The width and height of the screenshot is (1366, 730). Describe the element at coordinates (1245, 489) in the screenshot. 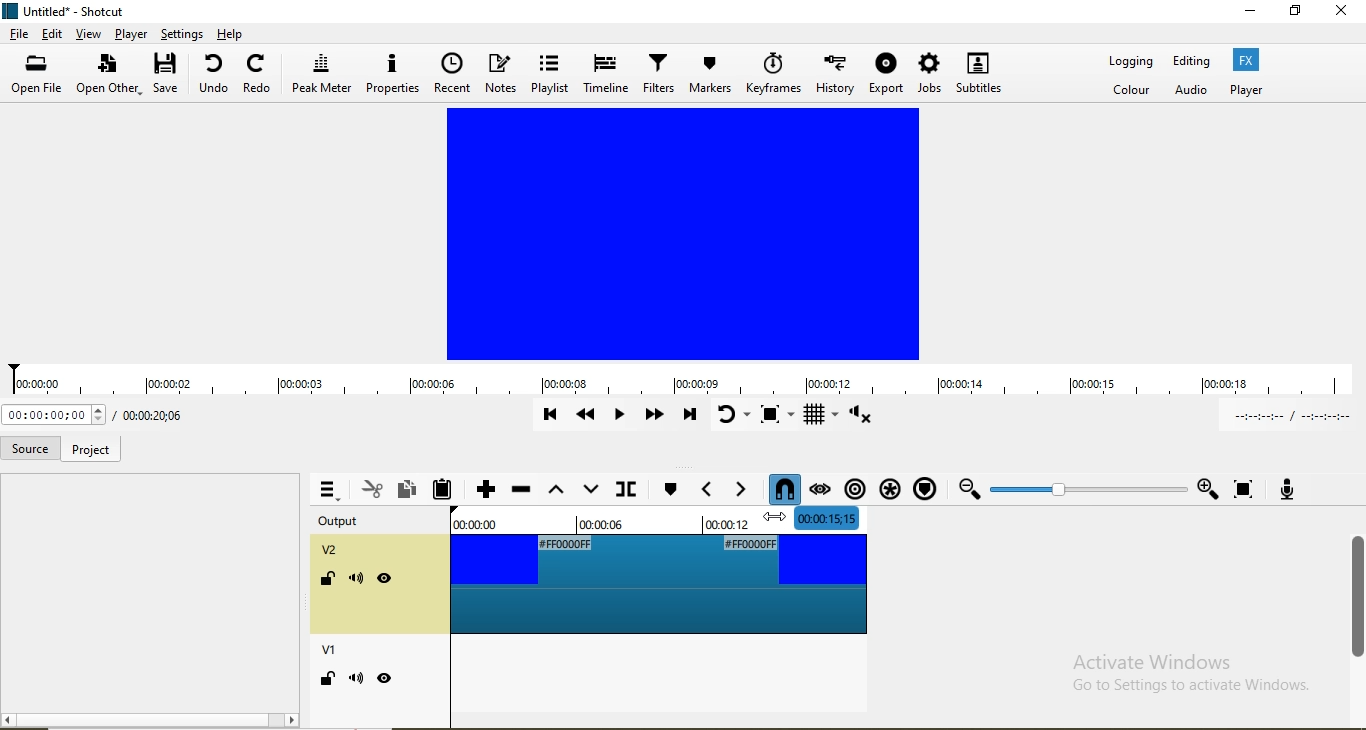

I see `Zoom timeline to fit` at that location.